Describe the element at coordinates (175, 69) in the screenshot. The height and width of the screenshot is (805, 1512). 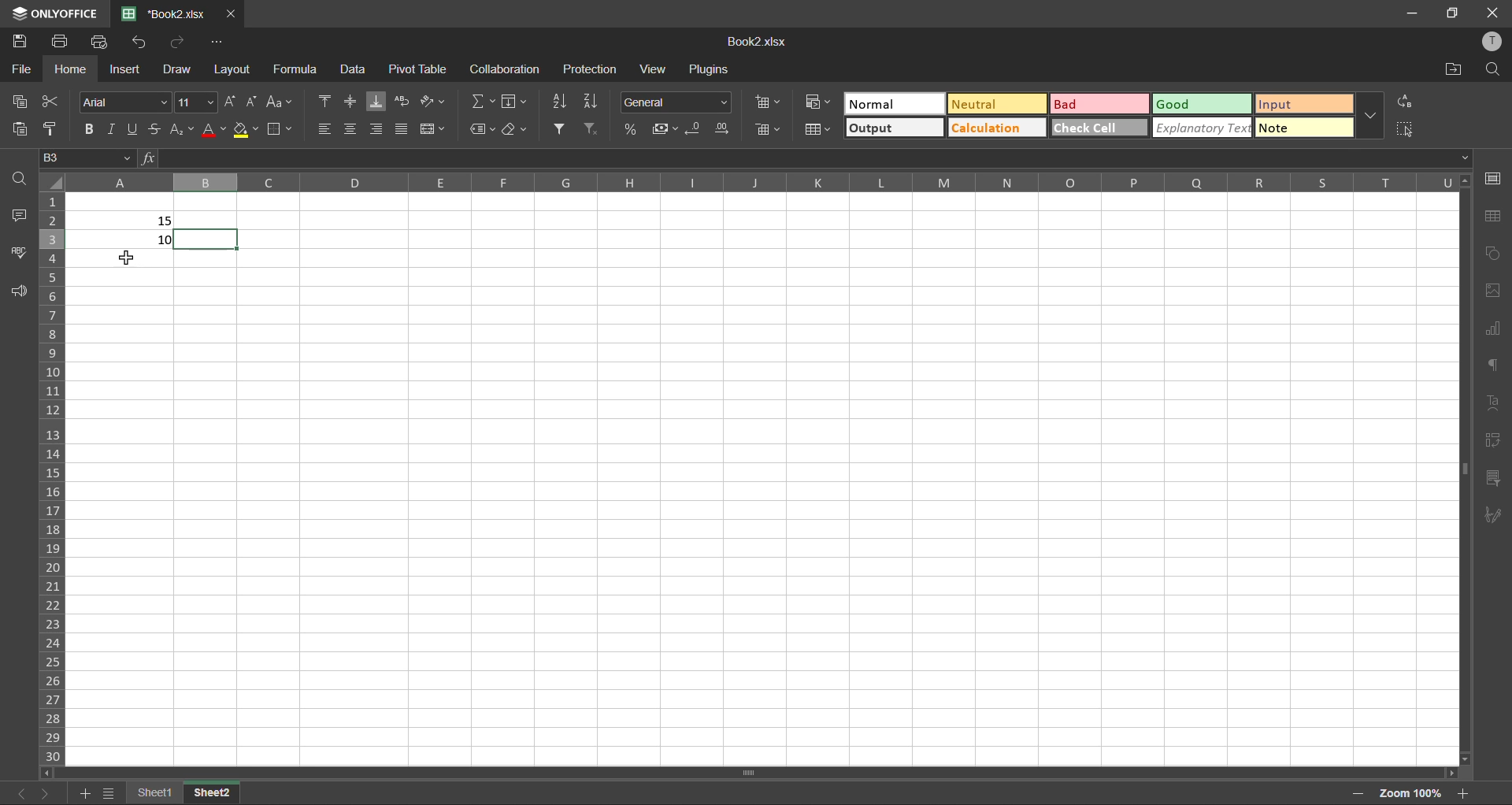
I see `draw` at that location.